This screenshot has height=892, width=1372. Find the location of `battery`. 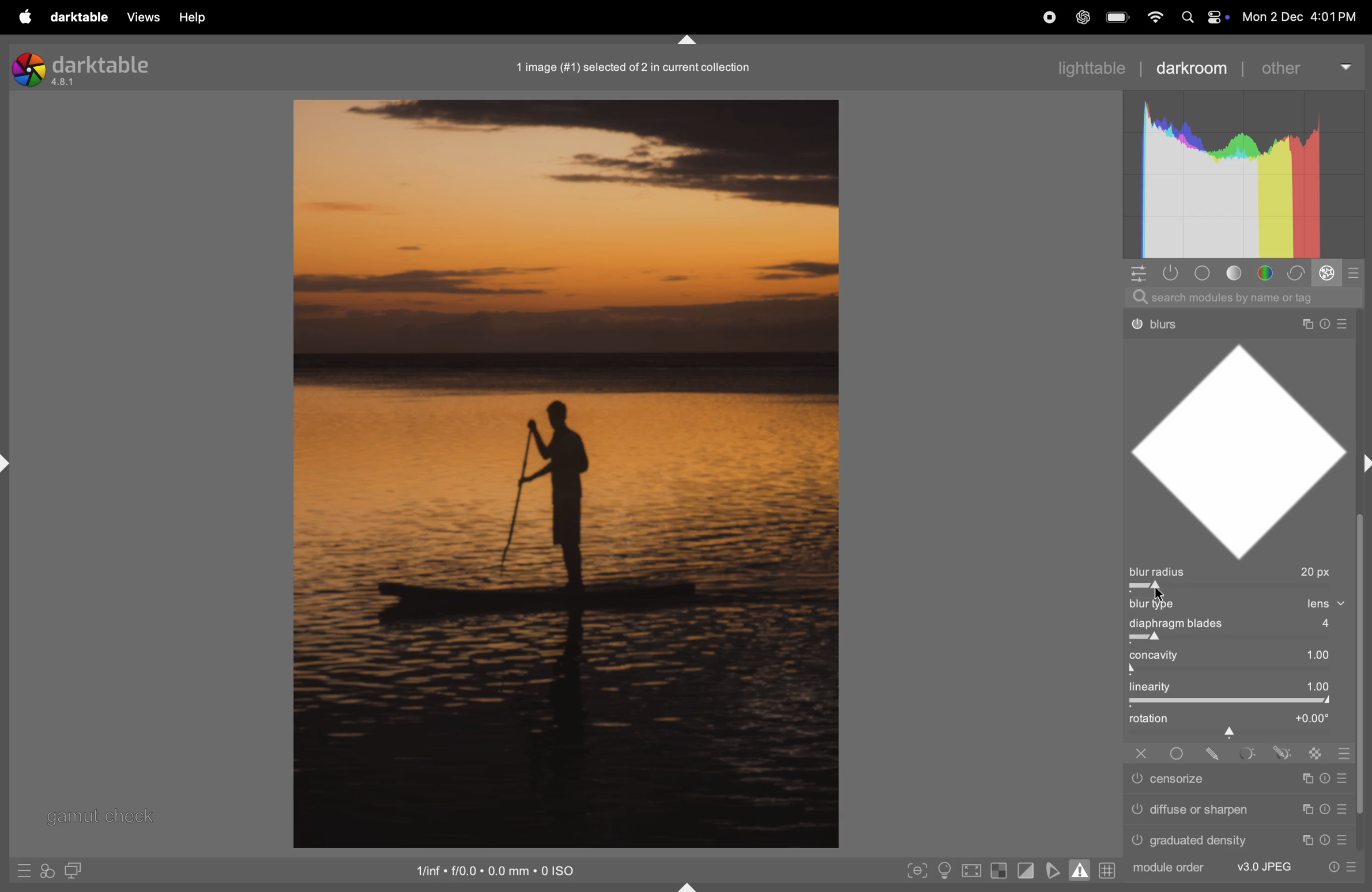

battery is located at coordinates (1118, 16).